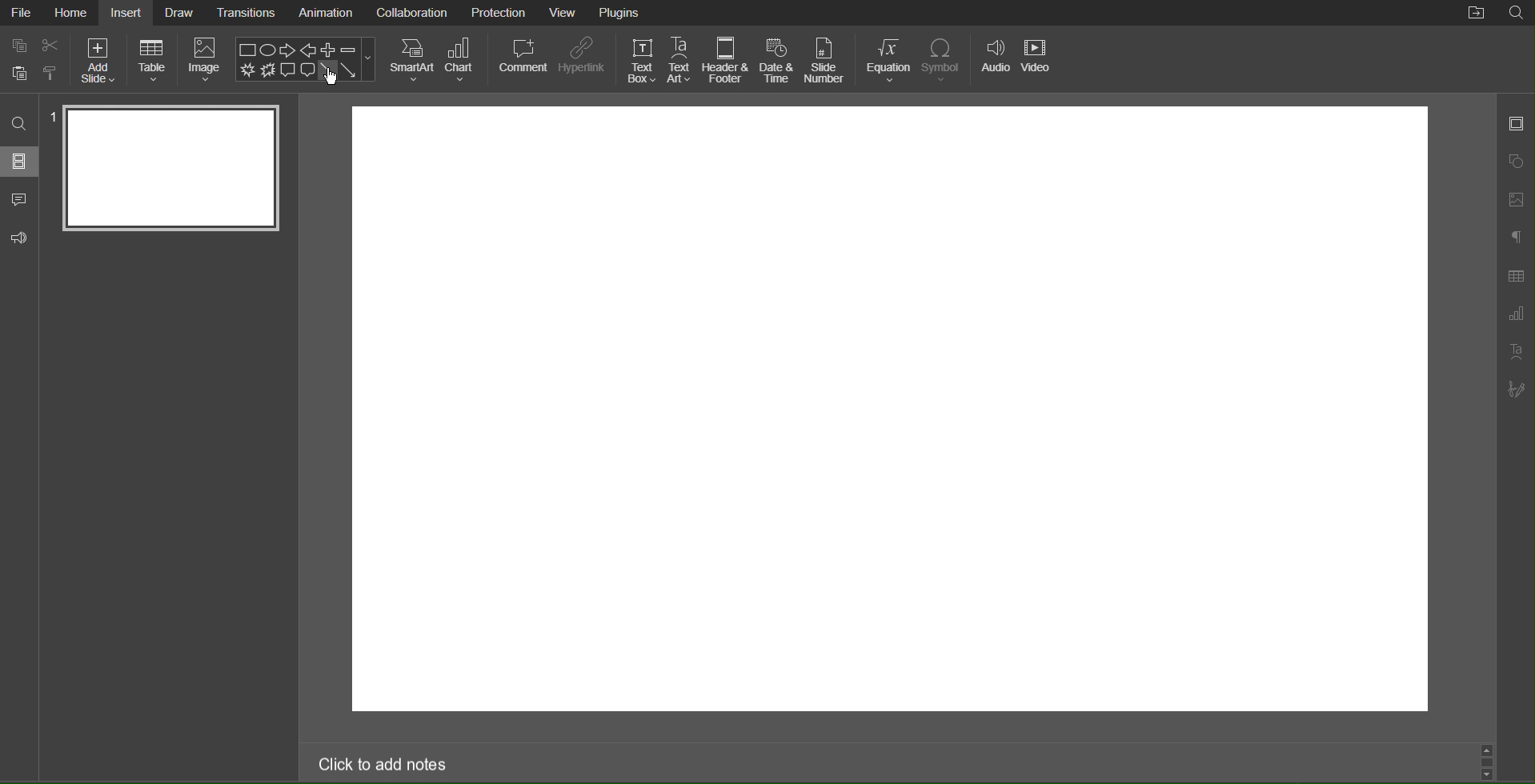  I want to click on Date & Time, so click(777, 61).